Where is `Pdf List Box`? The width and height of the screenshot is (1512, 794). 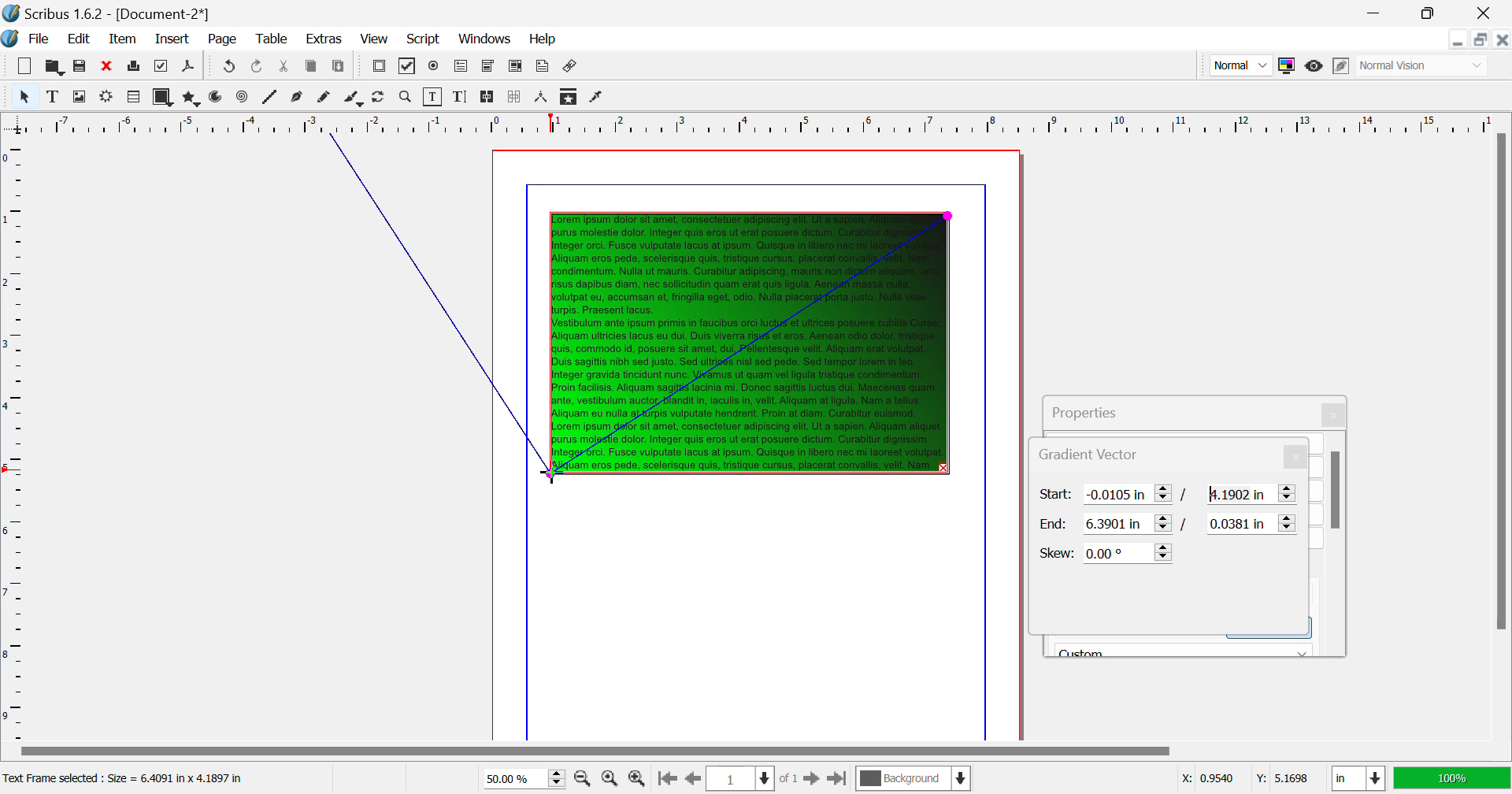 Pdf List Box is located at coordinates (515, 68).